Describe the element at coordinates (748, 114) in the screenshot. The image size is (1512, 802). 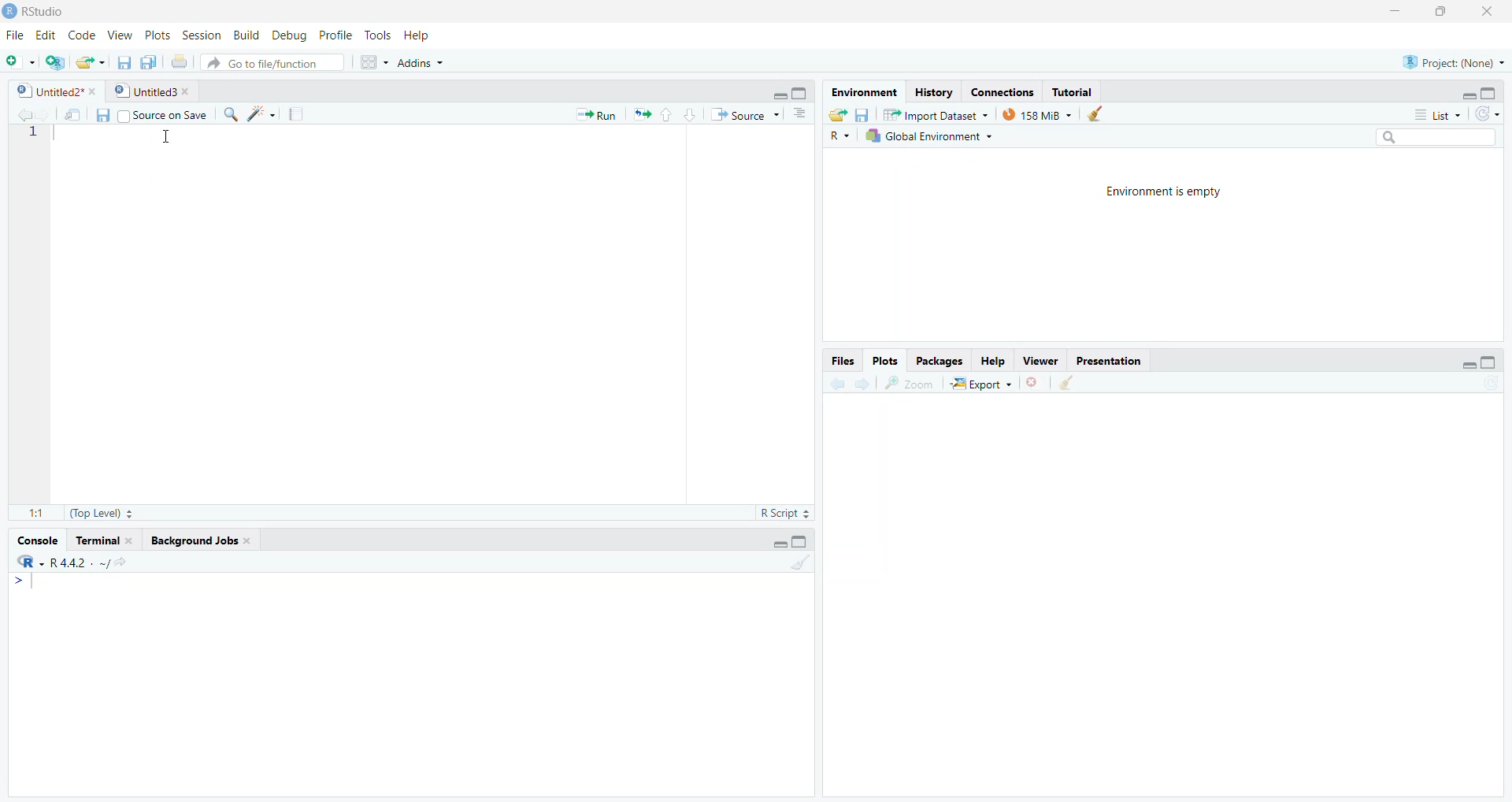
I see `+ Source` at that location.